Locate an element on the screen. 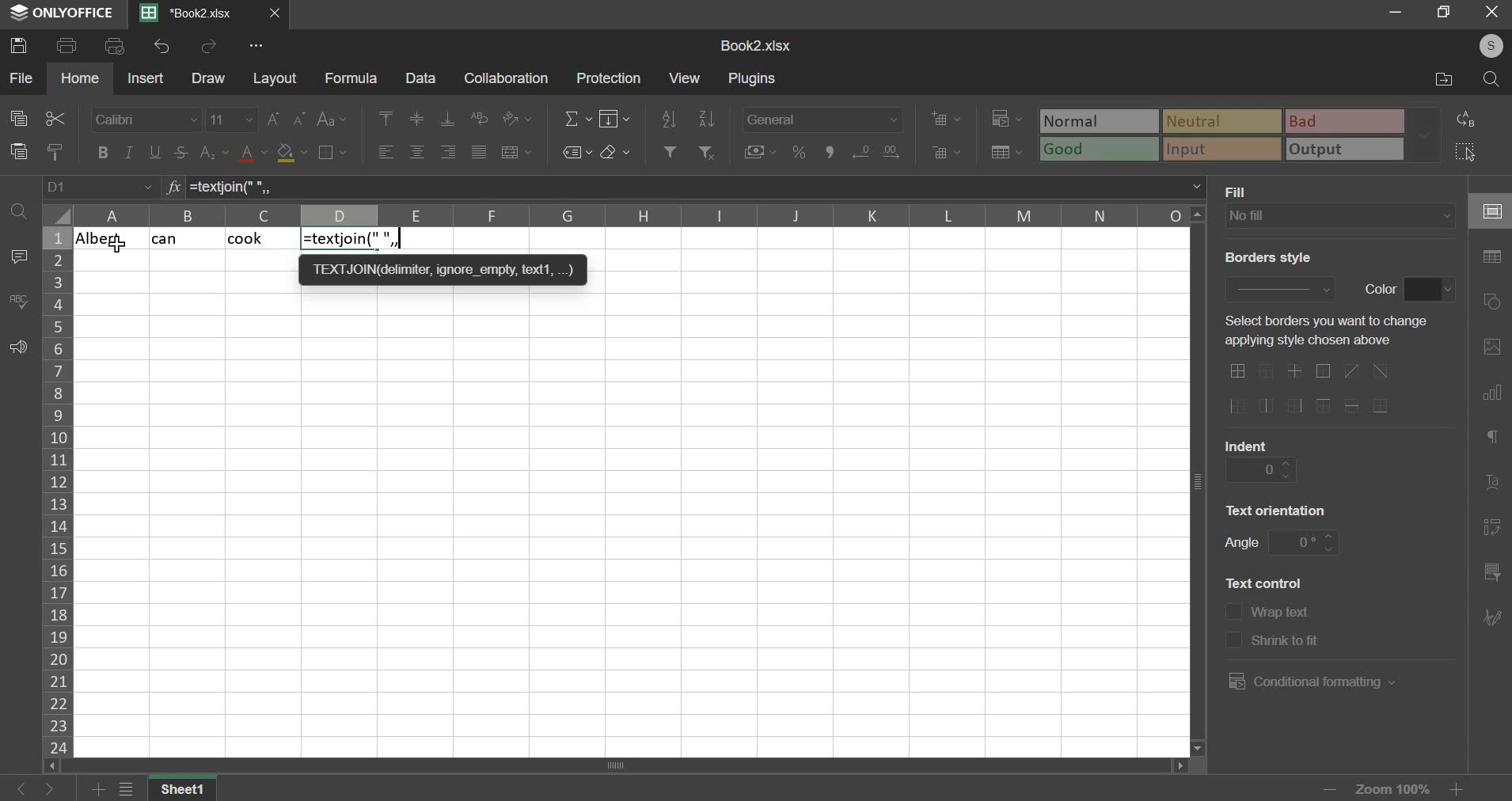 This screenshot has width=1512, height=801. slicer is located at coordinates (1490, 575).